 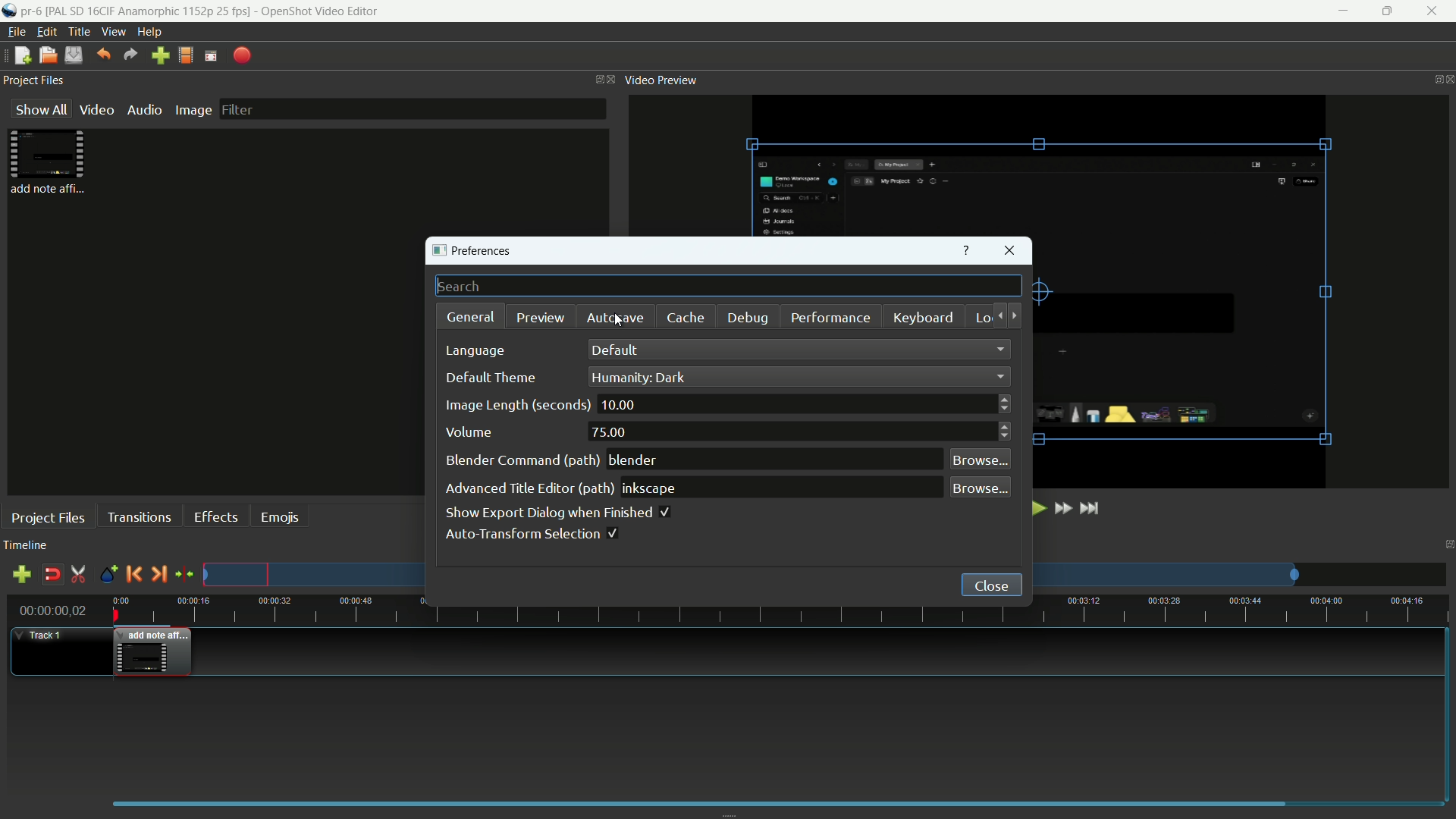 I want to click on play or pause, so click(x=1036, y=508).